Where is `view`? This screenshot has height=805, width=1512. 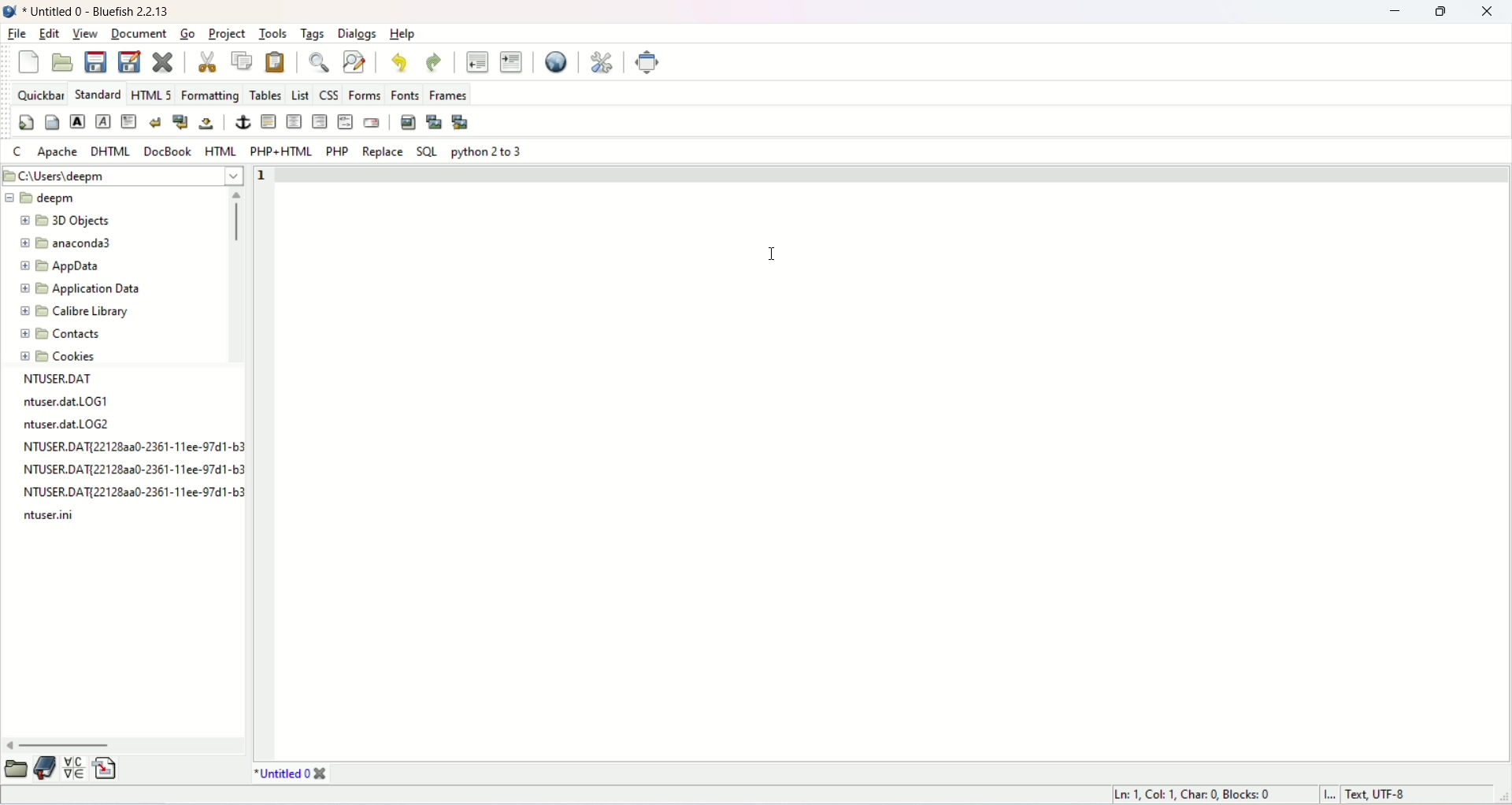
view is located at coordinates (86, 34).